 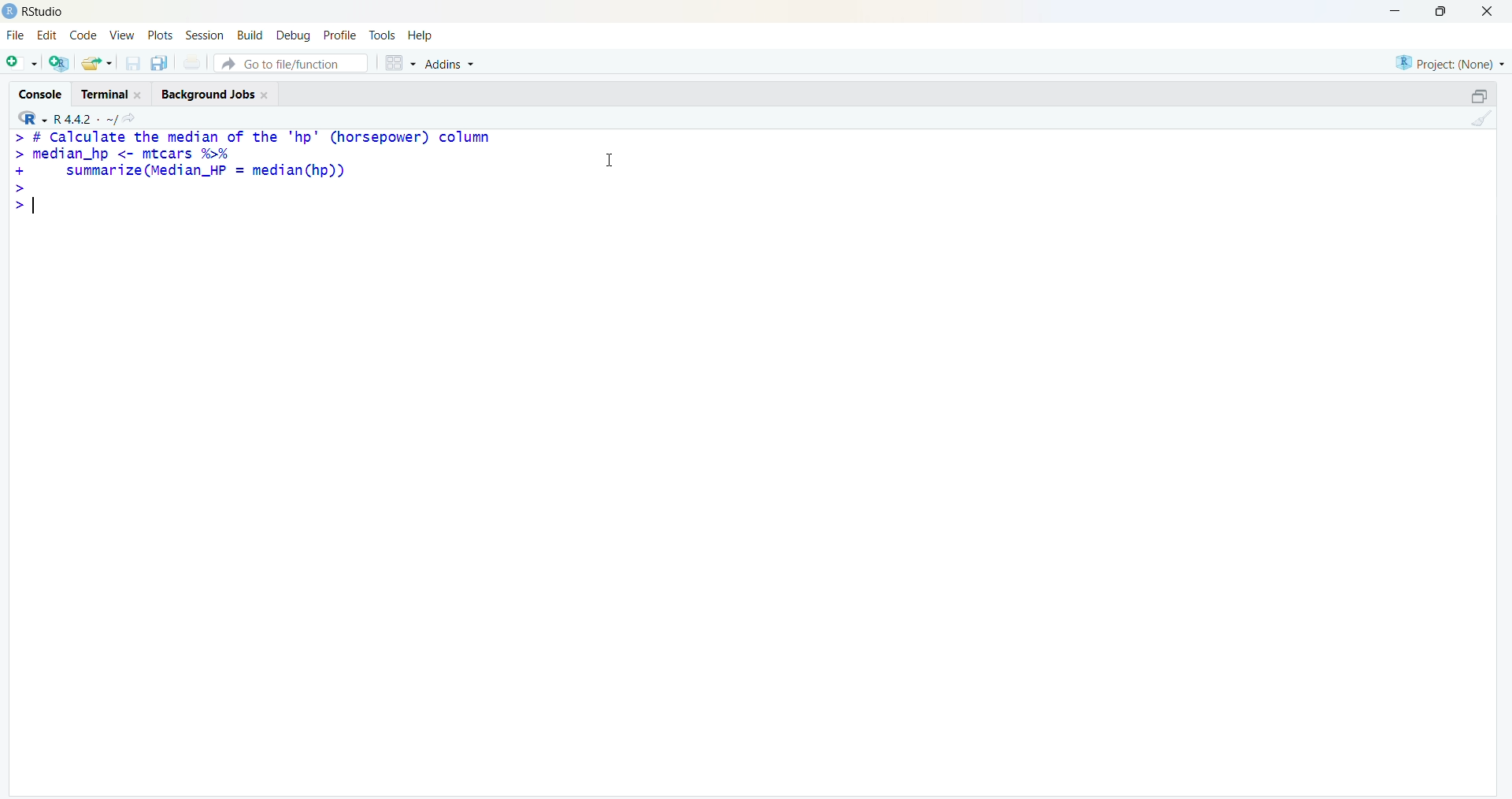 What do you see at coordinates (139, 95) in the screenshot?
I see `Close ` at bounding box center [139, 95].